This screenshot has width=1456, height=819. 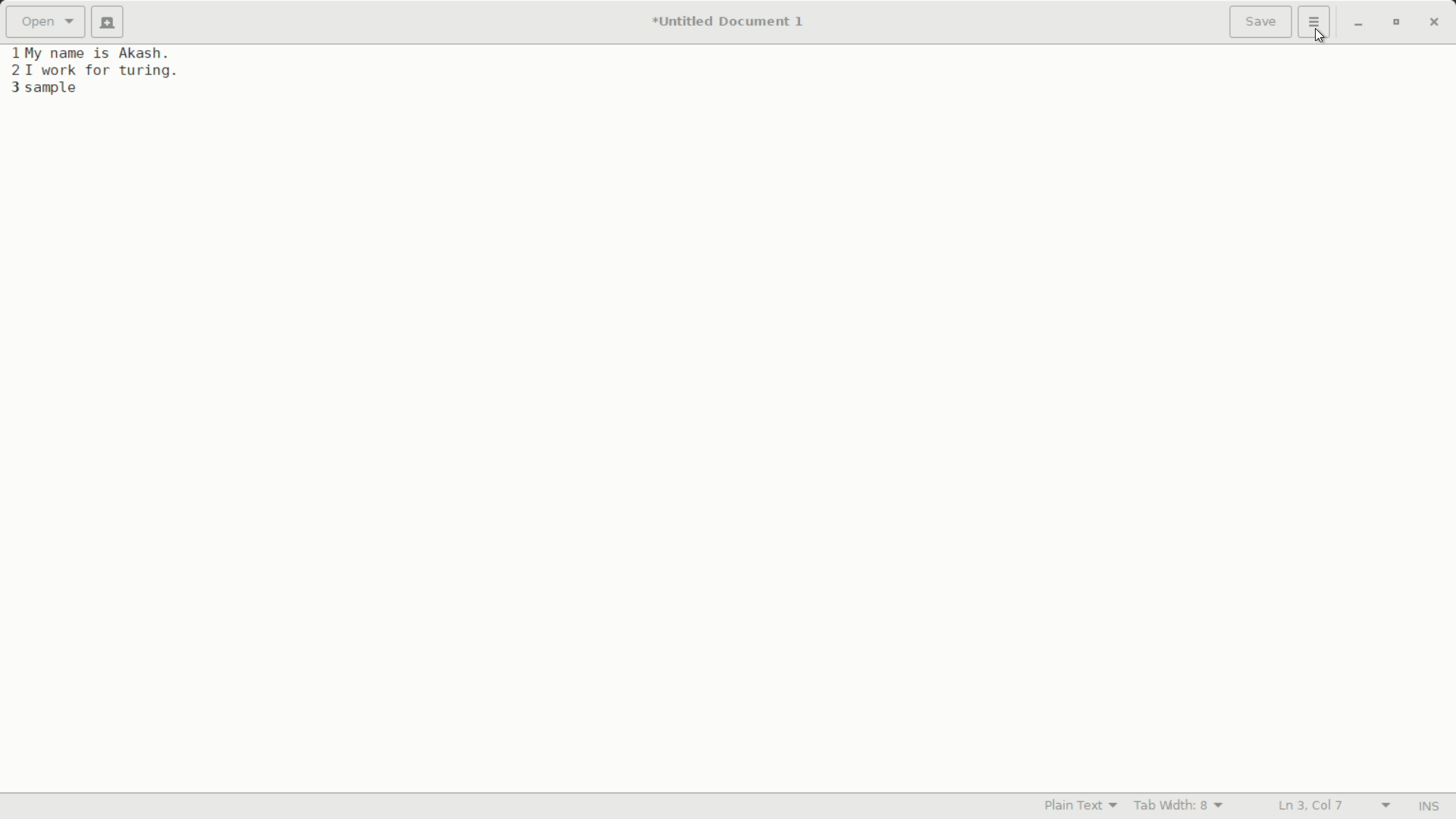 What do you see at coordinates (93, 52) in the screenshot?
I see `1My name is Akash.` at bounding box center [93, 52].